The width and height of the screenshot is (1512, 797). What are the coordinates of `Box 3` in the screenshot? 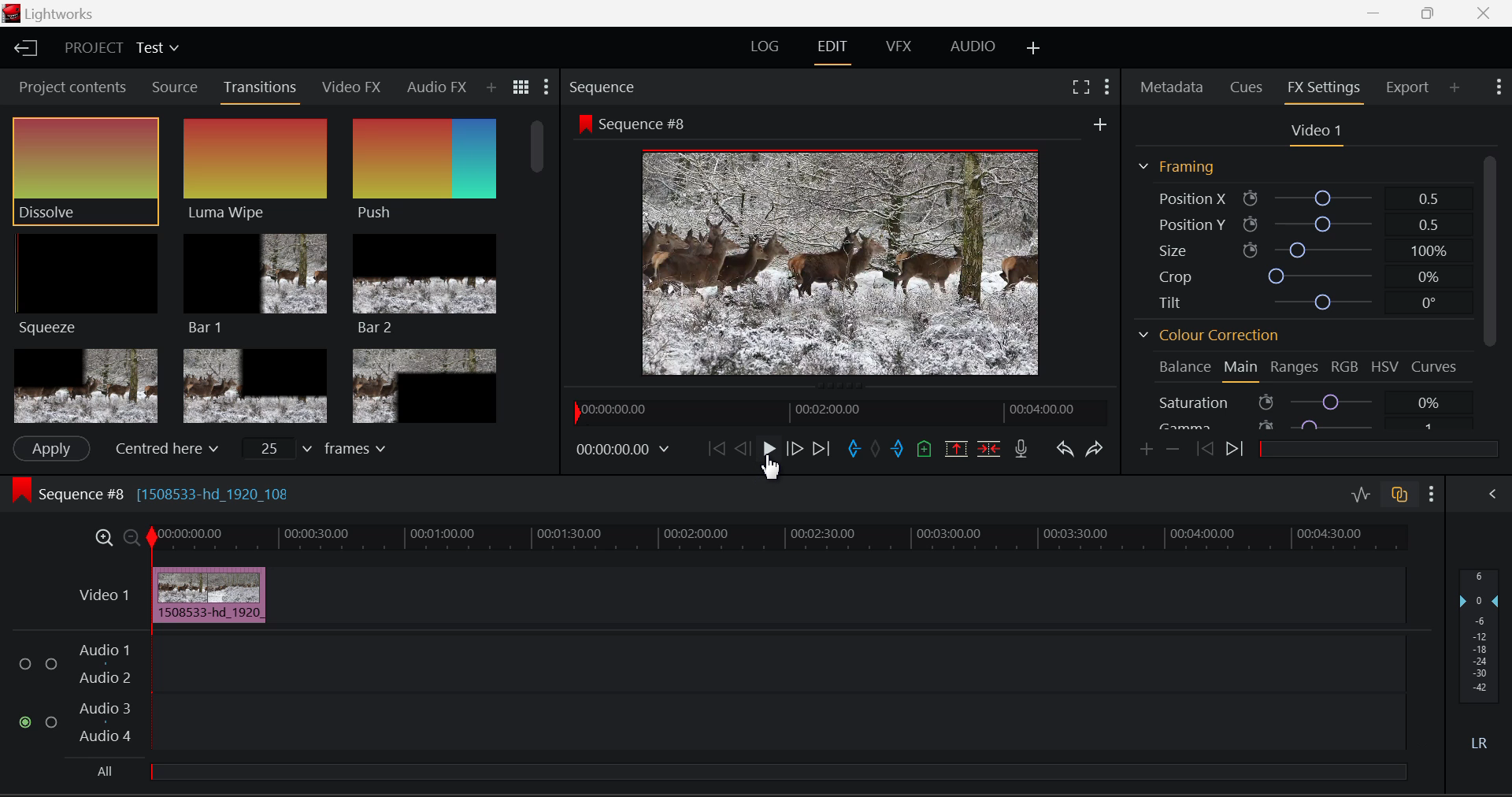 It's located at (426, 383).